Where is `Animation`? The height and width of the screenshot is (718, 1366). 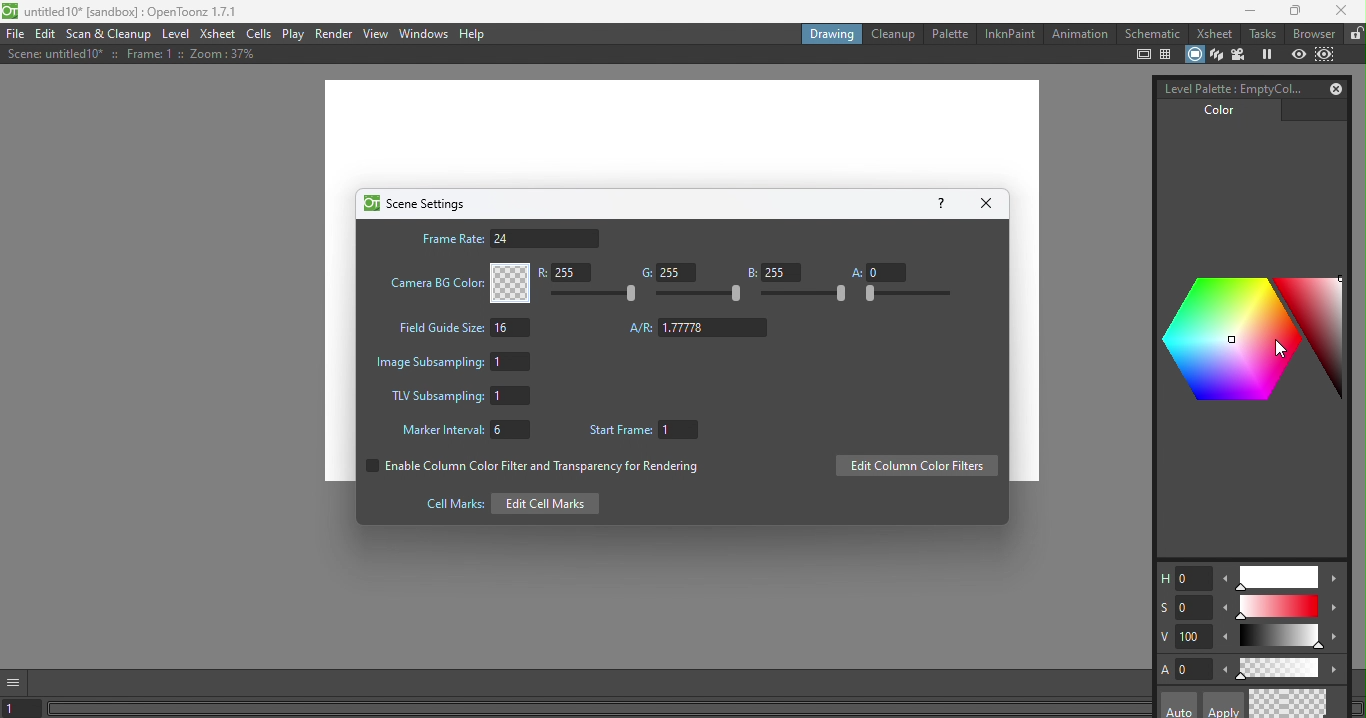 Animation is located at coordinates (1079, 34).